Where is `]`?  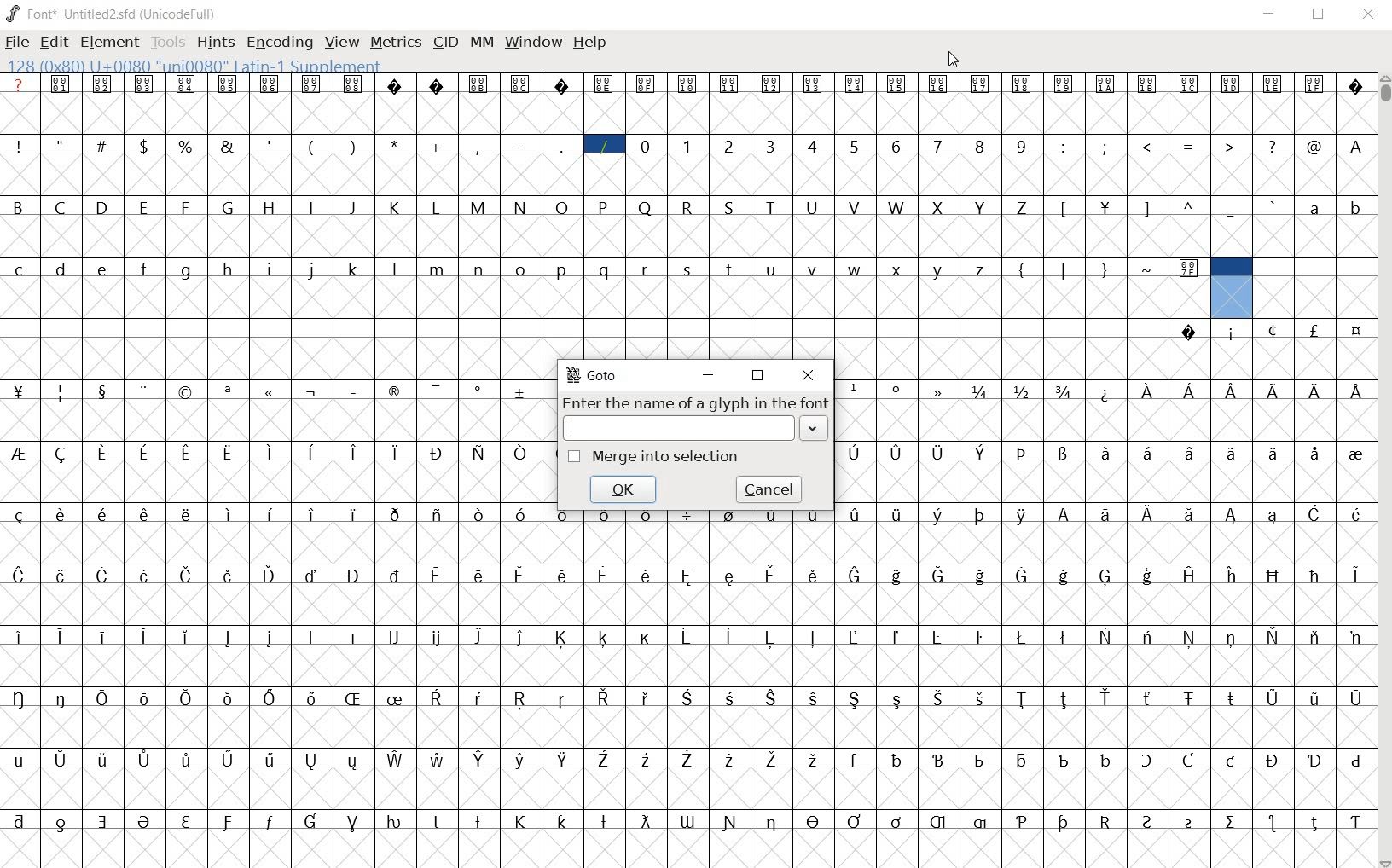
] is located at coordinates (1147, 206).